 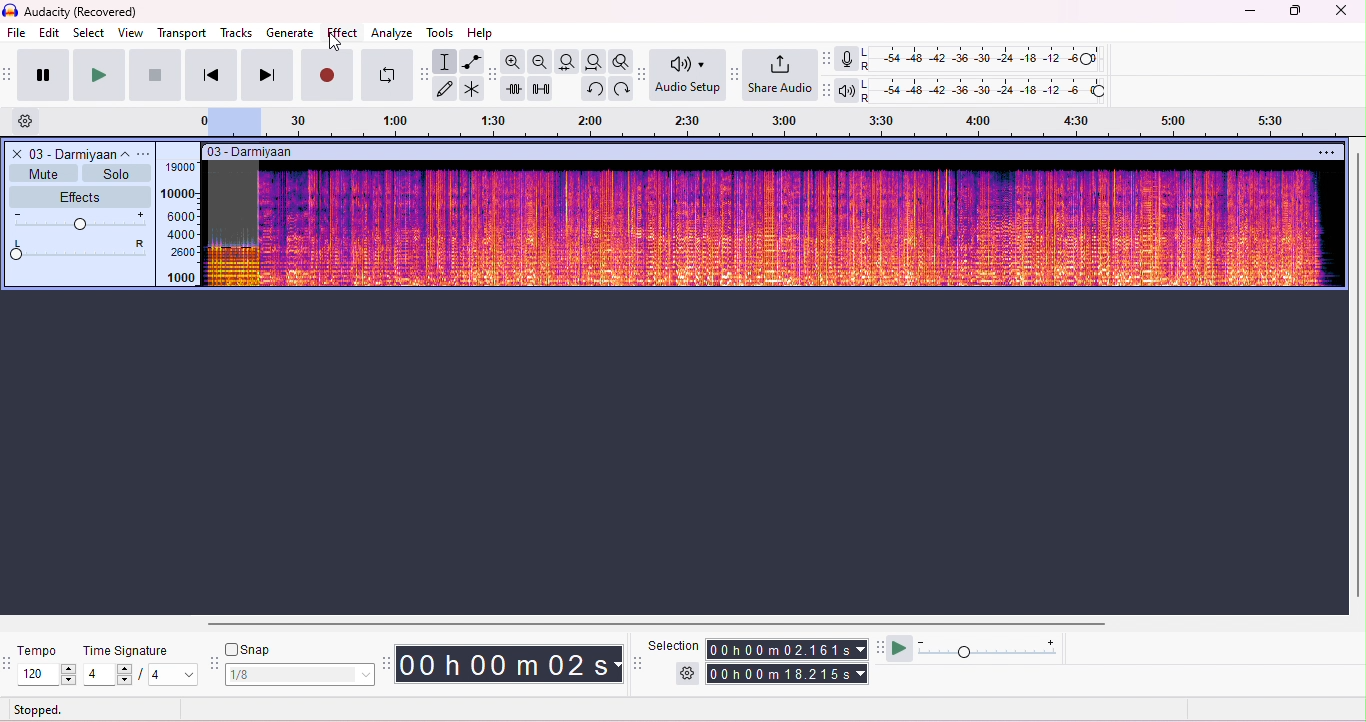 What do you see at coordinates (78, 153) in the screenshot?
I see `track` at bounding box center [78, 153].